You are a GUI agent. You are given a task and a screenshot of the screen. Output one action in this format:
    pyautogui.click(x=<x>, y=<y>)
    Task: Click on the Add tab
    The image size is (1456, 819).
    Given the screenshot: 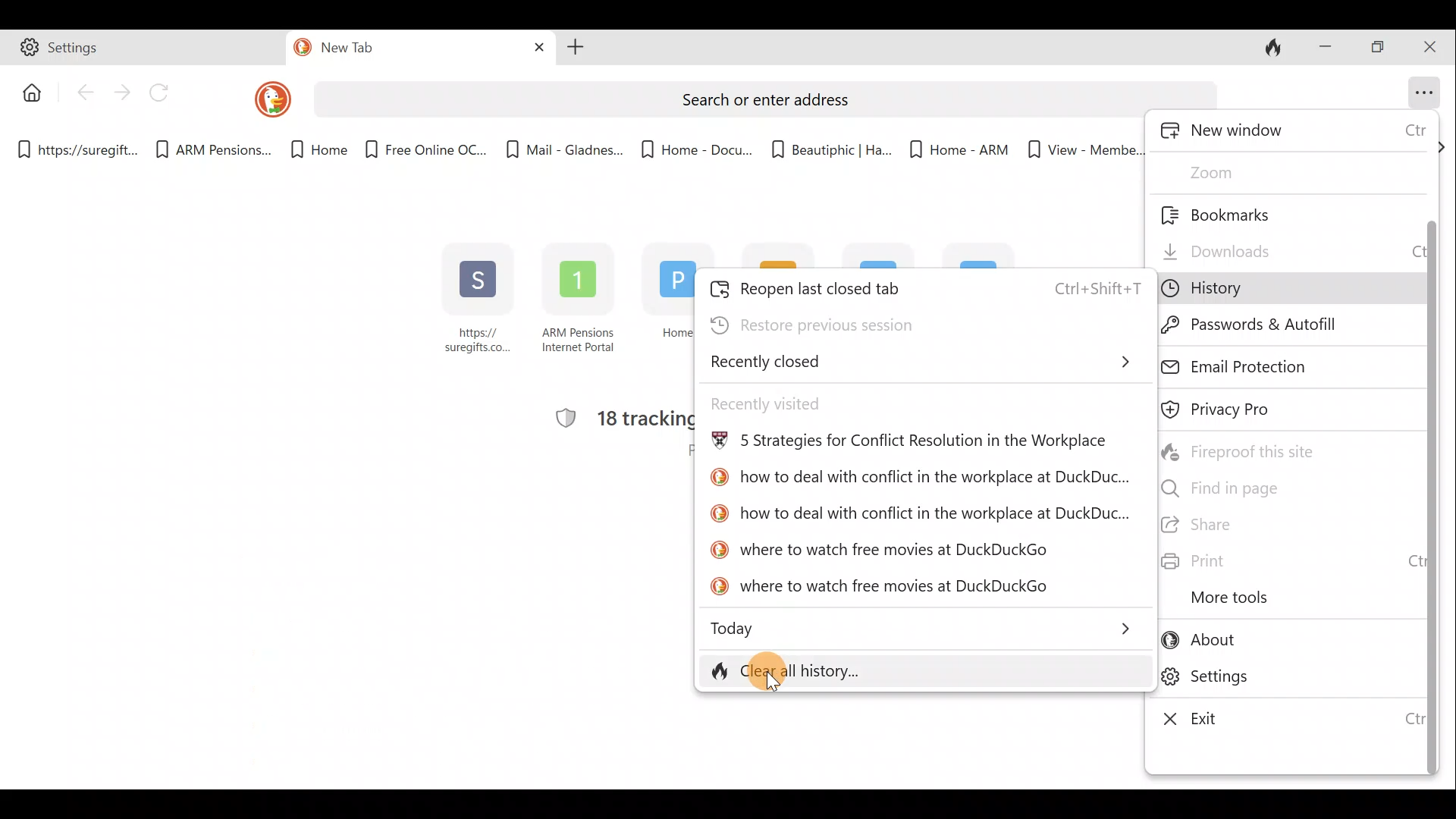 What is the action you would take?
    pyautogui.click(x=576, y=49)
    